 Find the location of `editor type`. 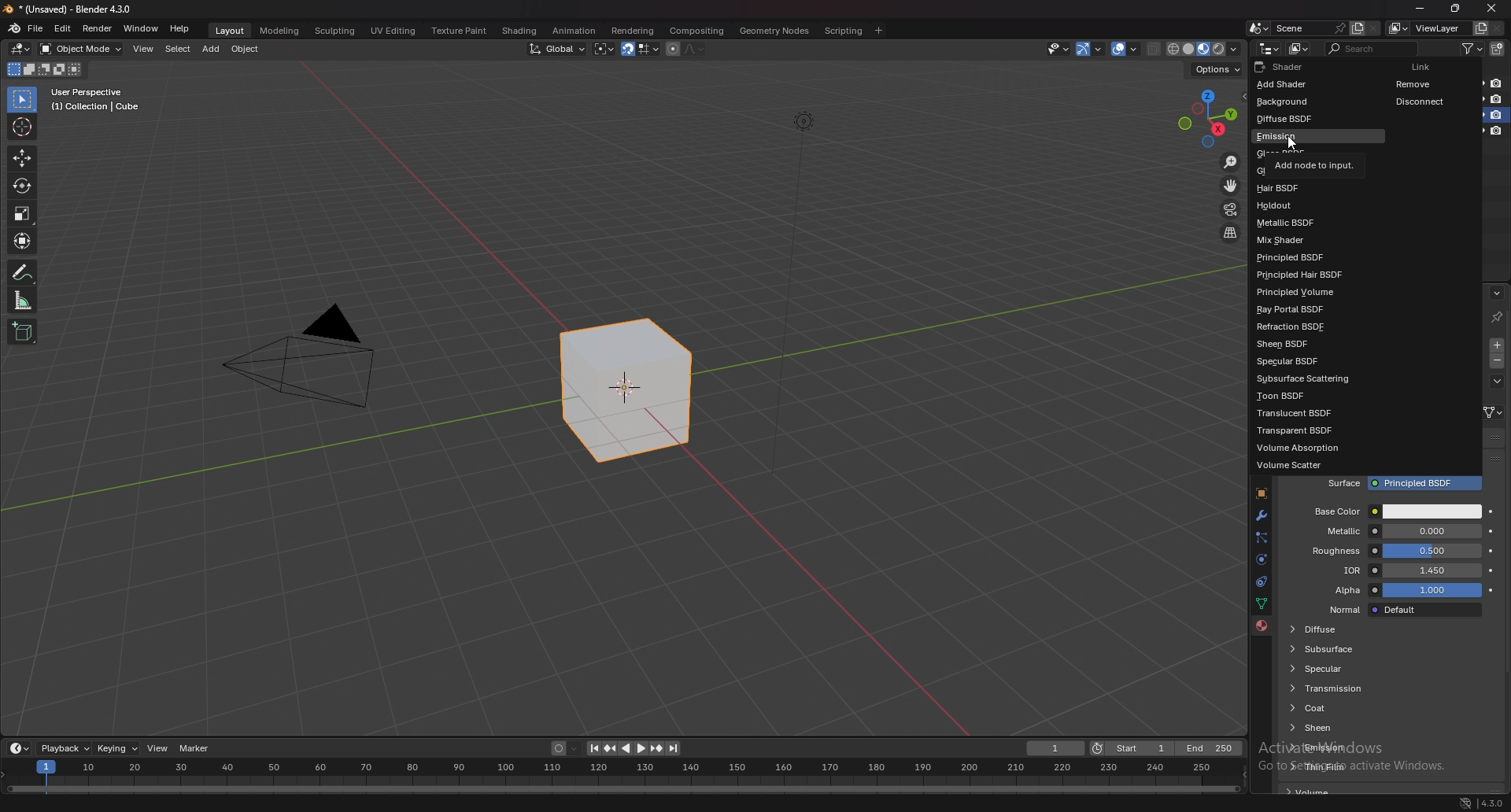

editor type is located at coordinates (20, 49).